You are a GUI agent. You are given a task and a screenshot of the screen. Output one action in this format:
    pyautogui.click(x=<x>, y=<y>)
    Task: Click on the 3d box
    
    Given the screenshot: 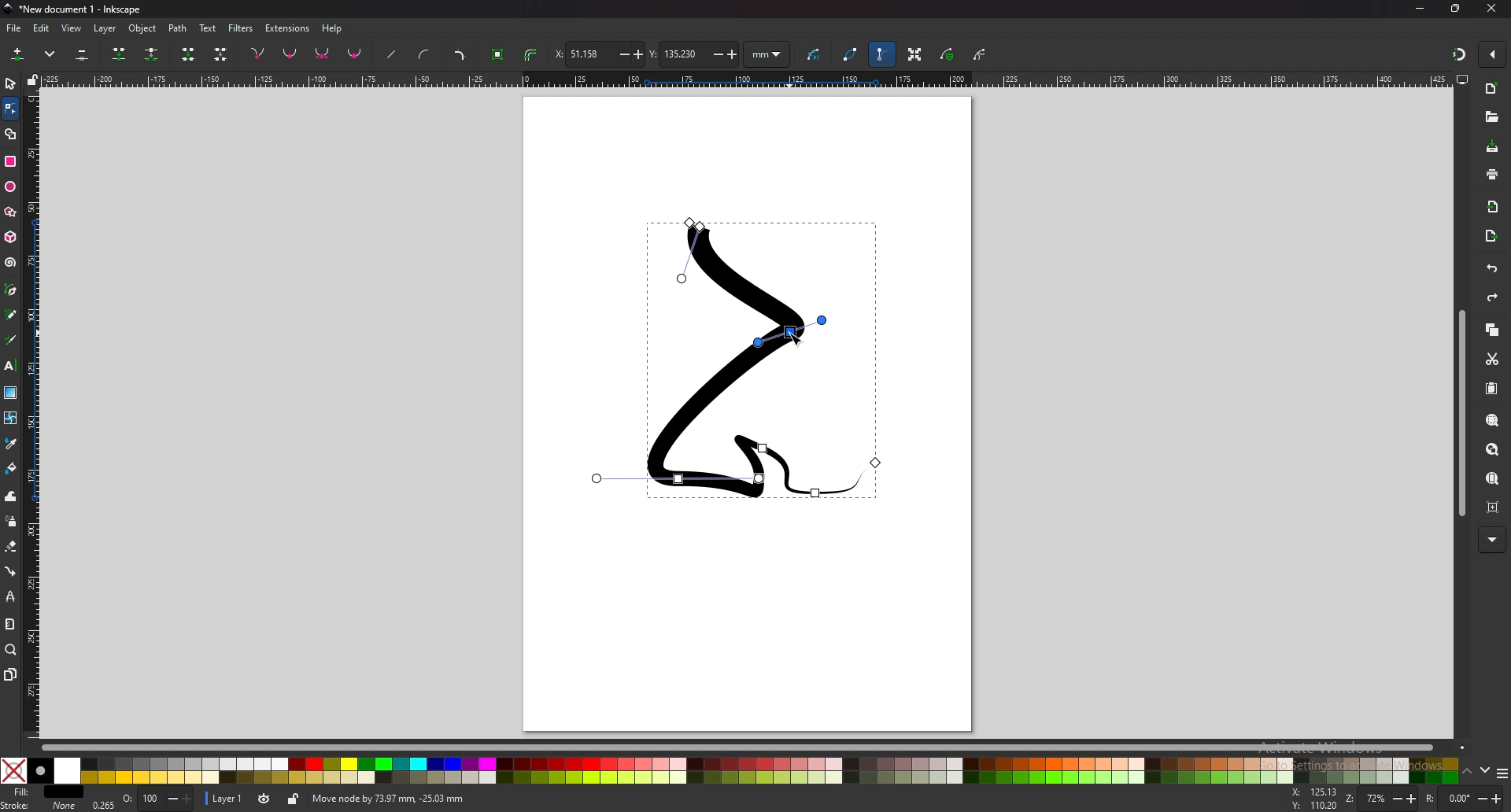 What is the action you would take?
    pyautogui.click(x=10, y=237)
    